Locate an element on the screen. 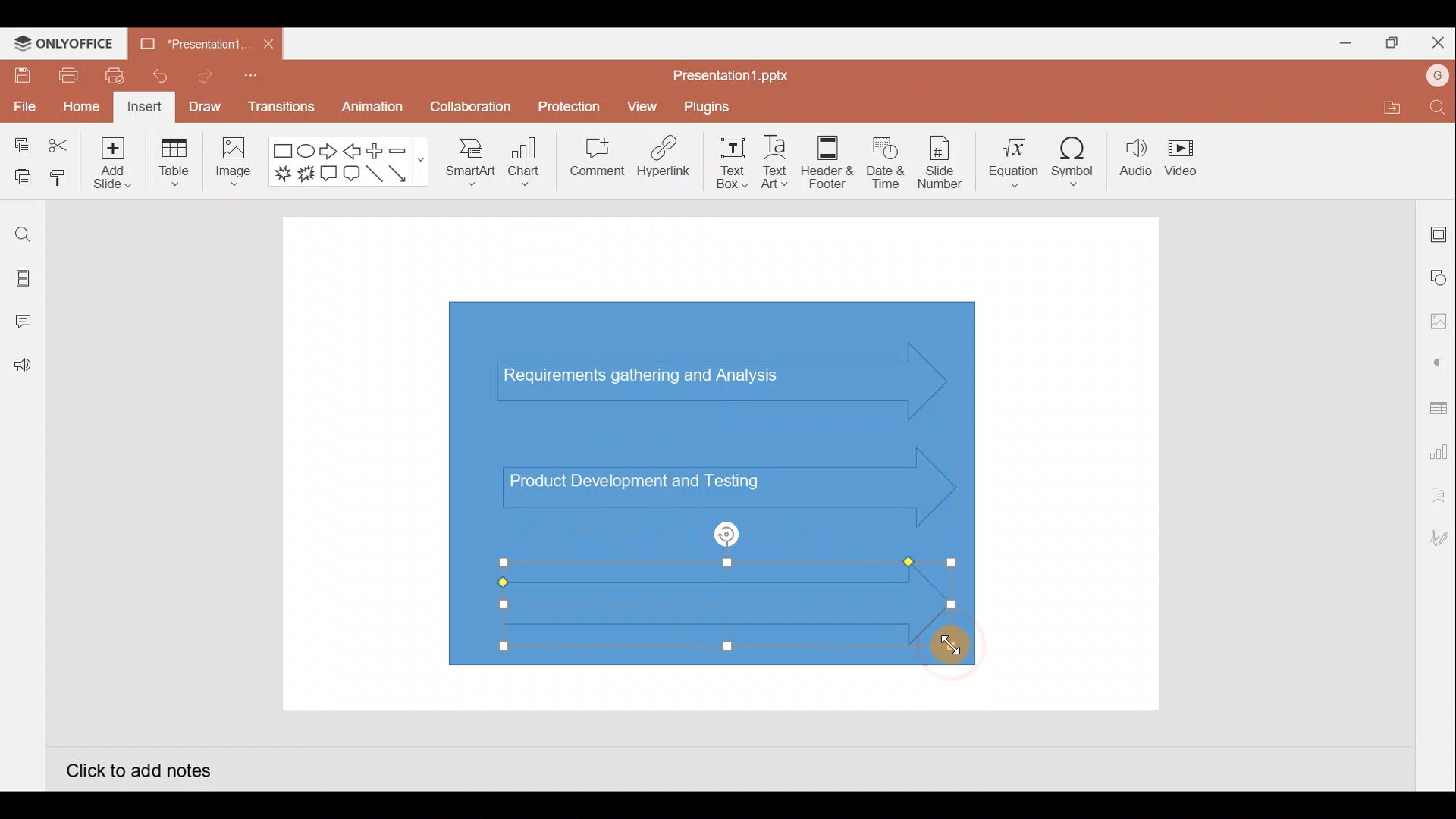 The width and height of the screenshot is (1456, 819). Slide number is located at coordinates (939, 162).